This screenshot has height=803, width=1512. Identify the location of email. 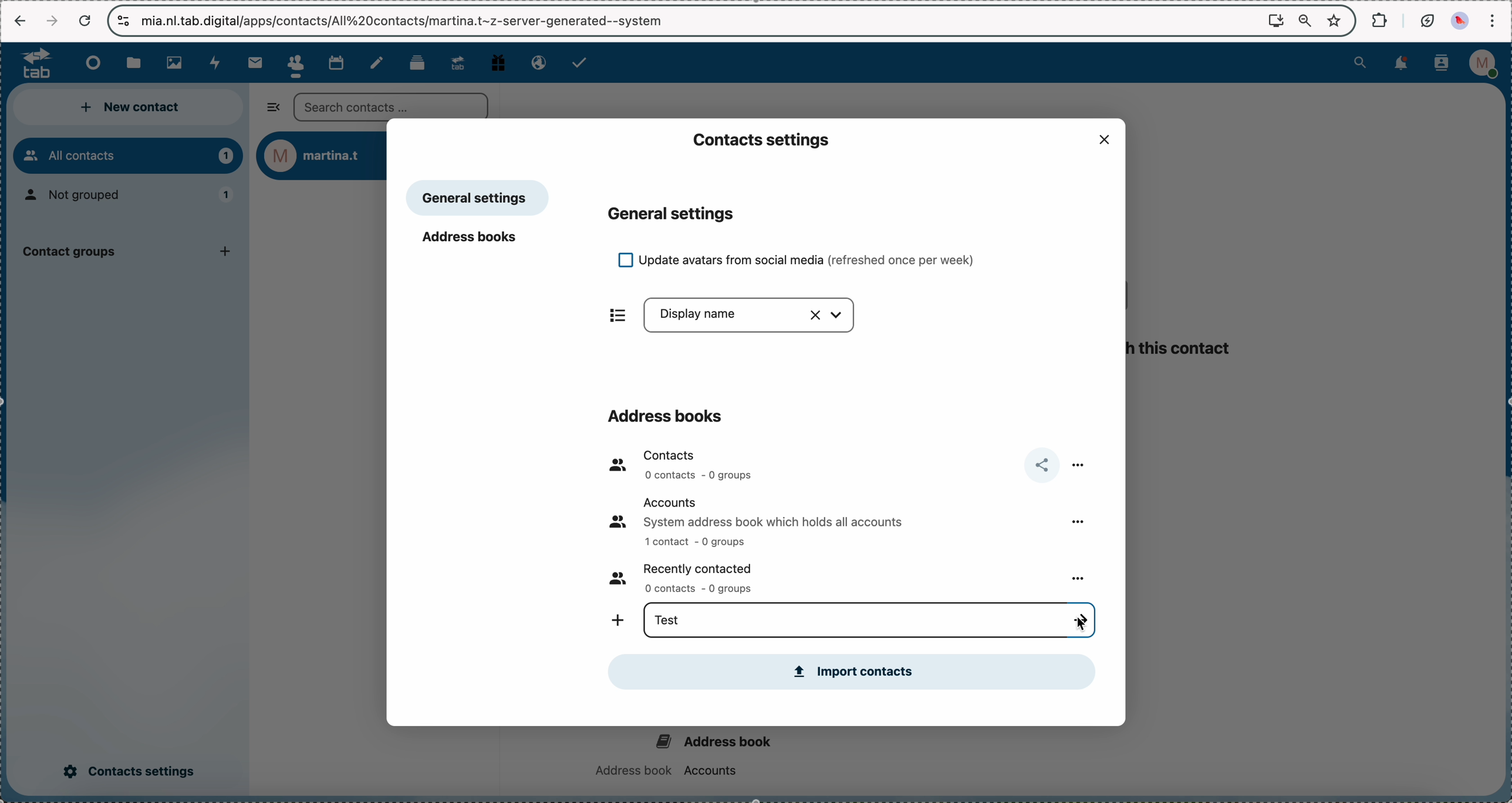
(535, 62).